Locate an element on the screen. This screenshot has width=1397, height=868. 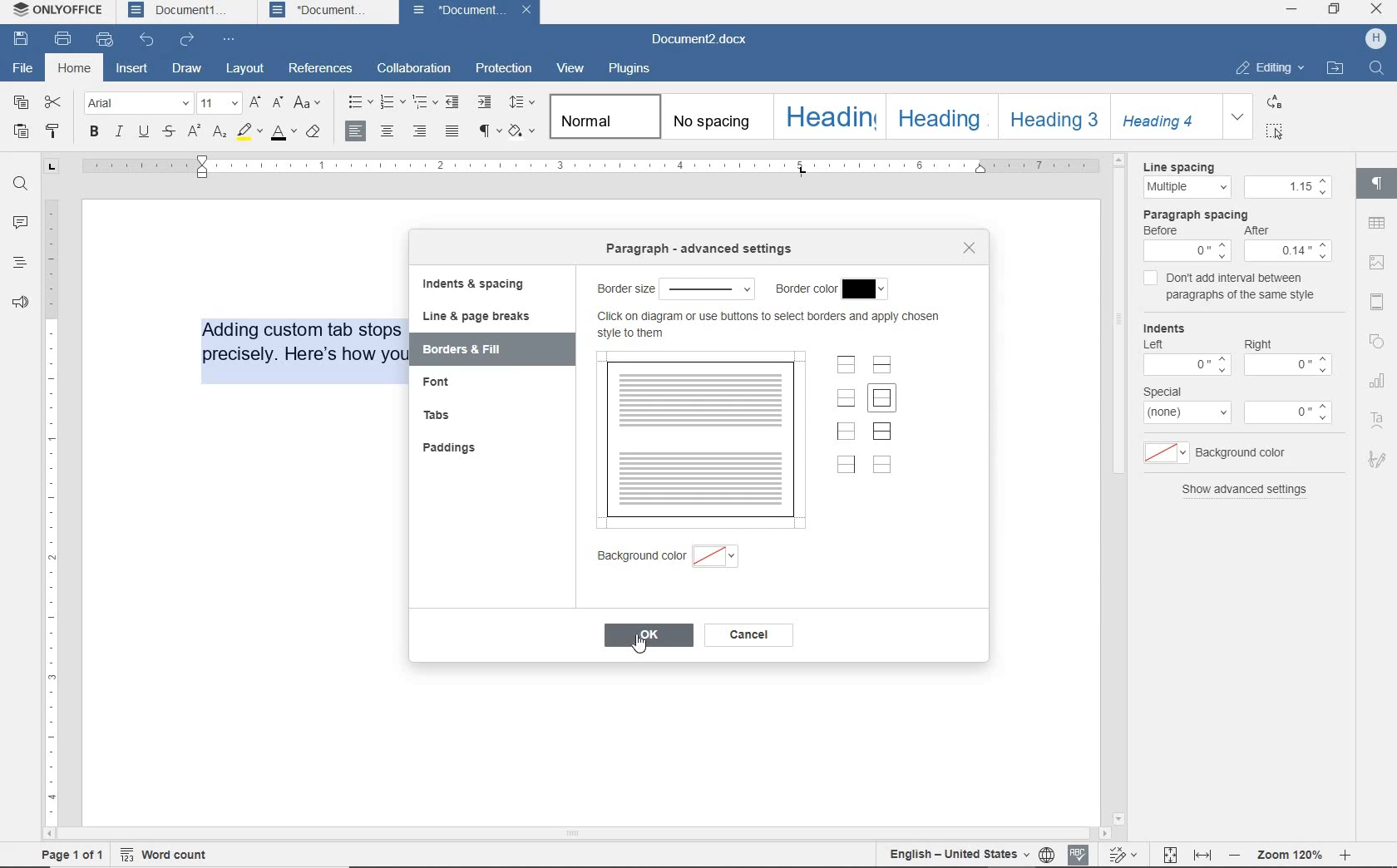
cut is located at coordinates (52, 104).